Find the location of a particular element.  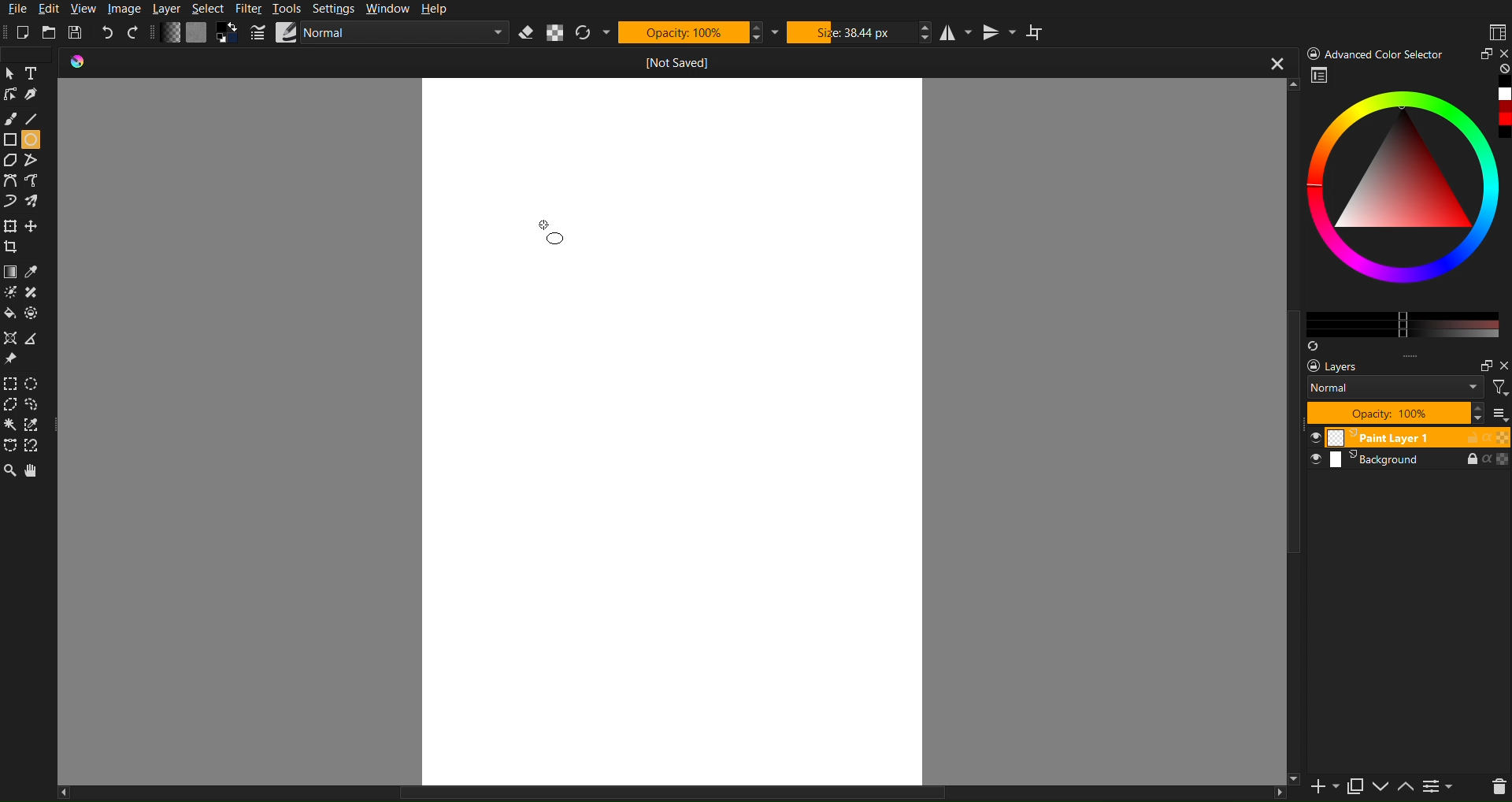

Color Tools is located at coordinates (10, 270).